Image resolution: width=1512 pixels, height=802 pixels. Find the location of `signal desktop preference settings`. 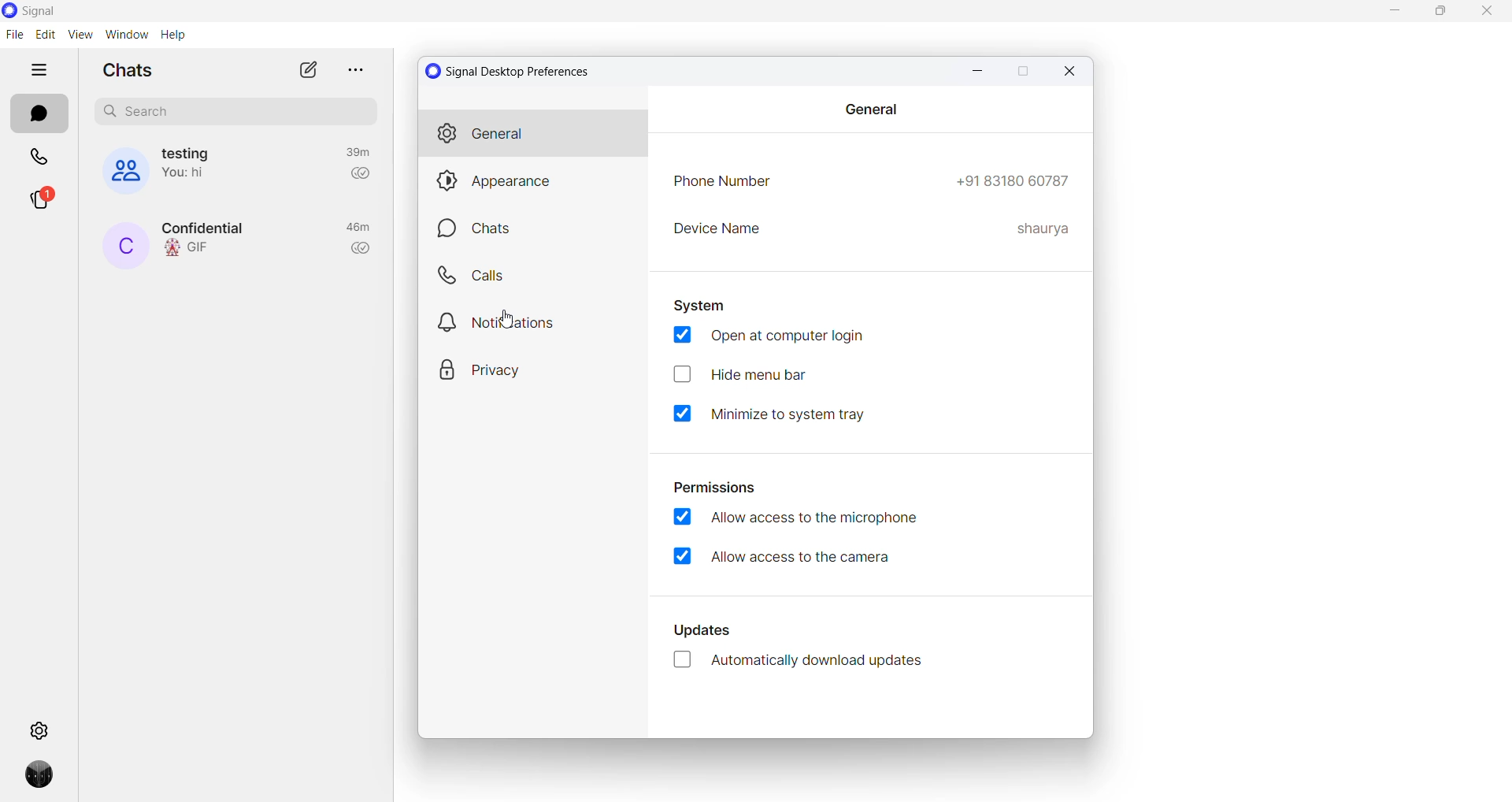

signal desktop preference settings is located at coordinates (517, 71).